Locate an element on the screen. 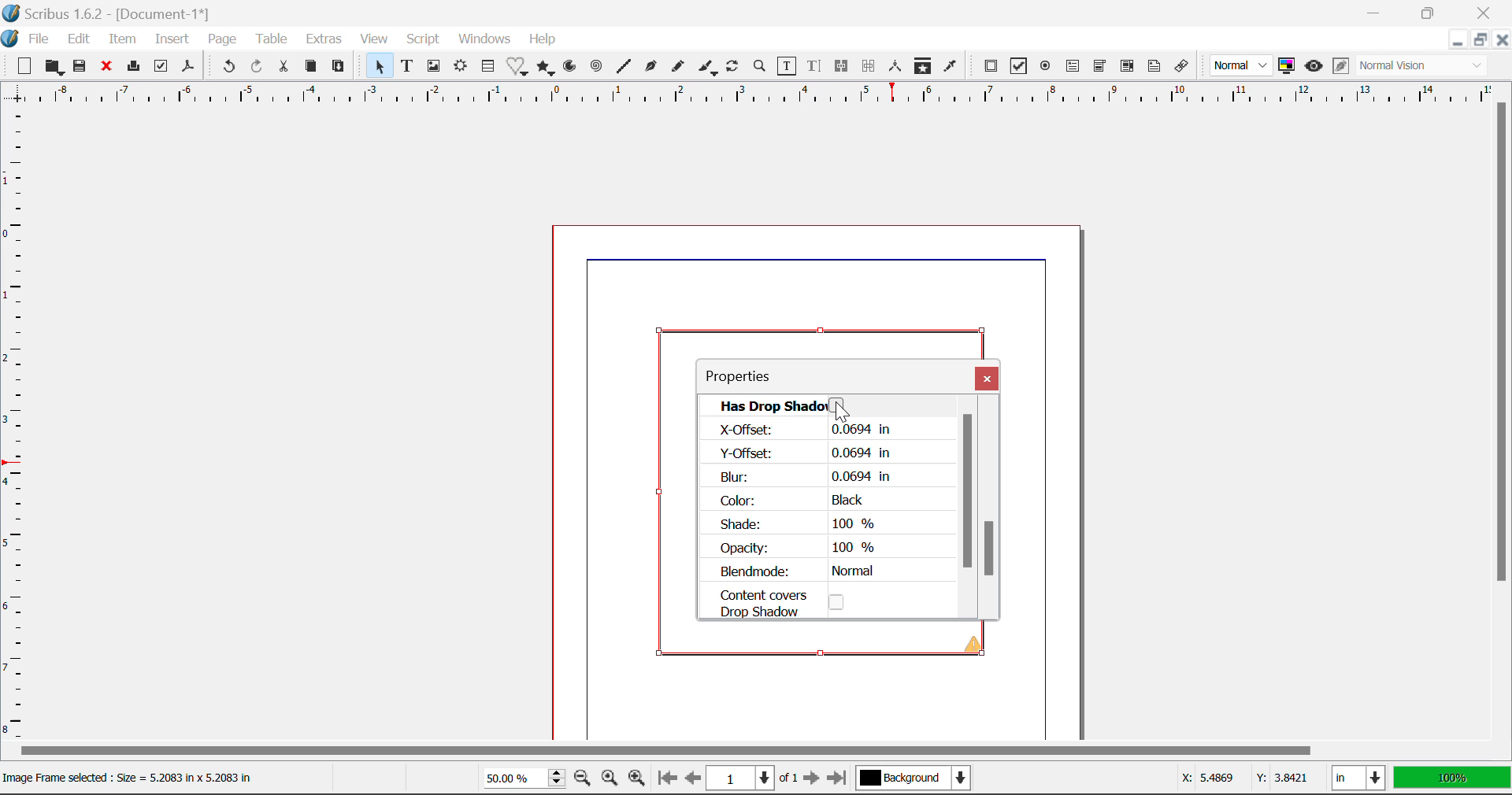 This screenshot has width=1512, height=795. Minimize is located at coordinates (1430, 11).